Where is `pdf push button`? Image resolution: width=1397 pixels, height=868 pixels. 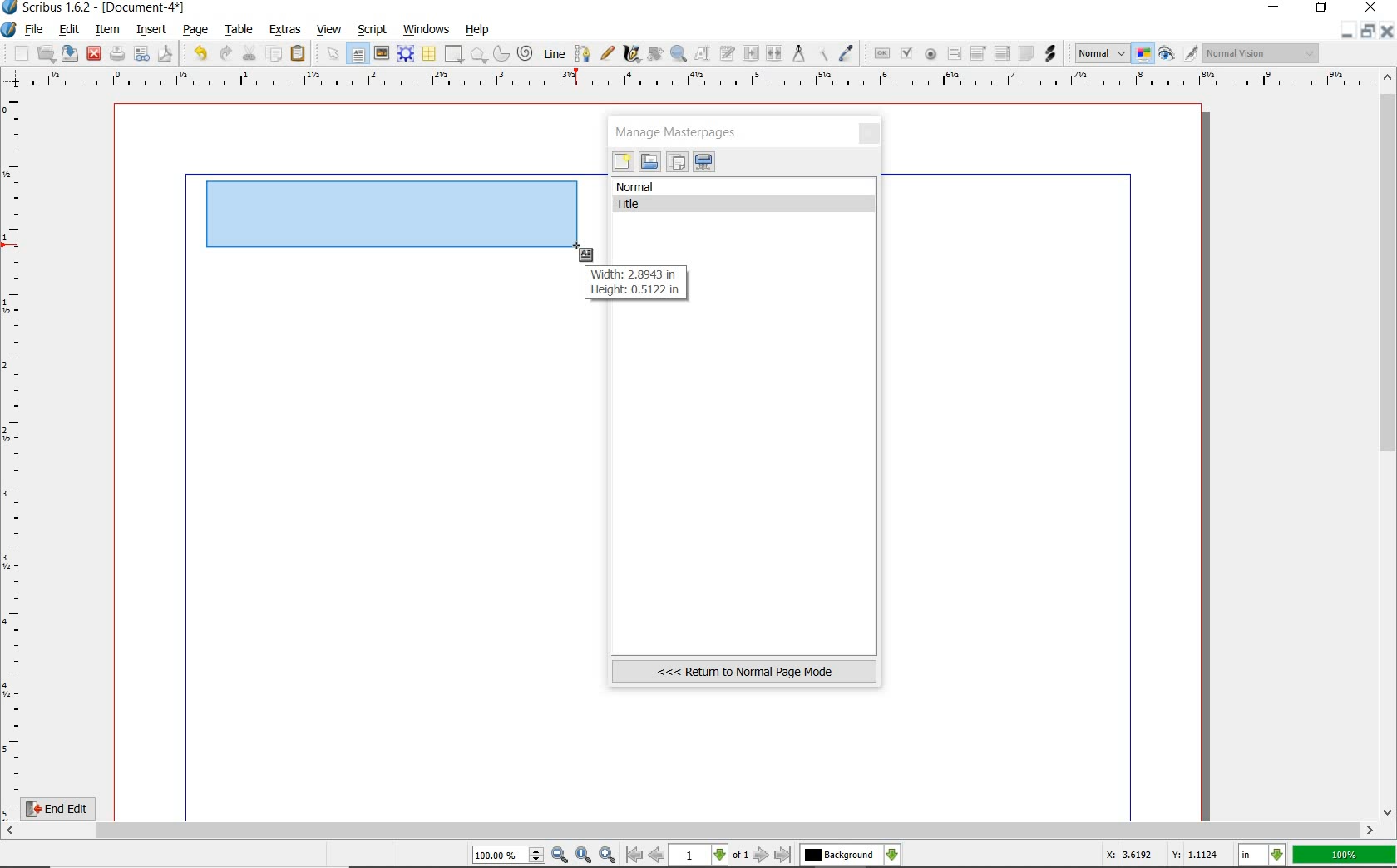 pdf push button is located at coordinates (879, 52).